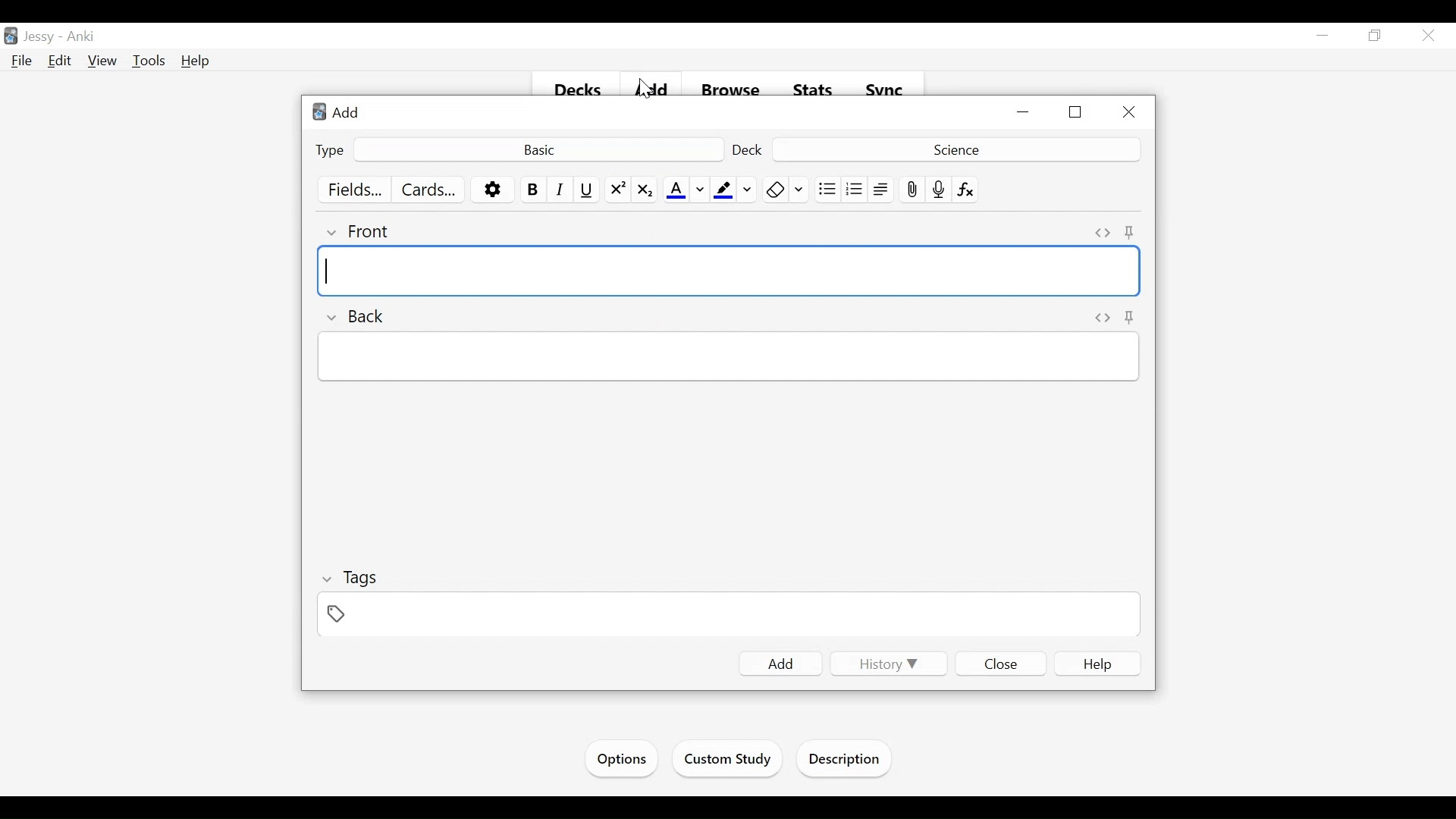 Image resolution: width=1456 pixels, height=819 pixels. What do you see at coordinates (356, 190) in the screenshot?
I see `Customize Fields` at bounding box center [356, 190].